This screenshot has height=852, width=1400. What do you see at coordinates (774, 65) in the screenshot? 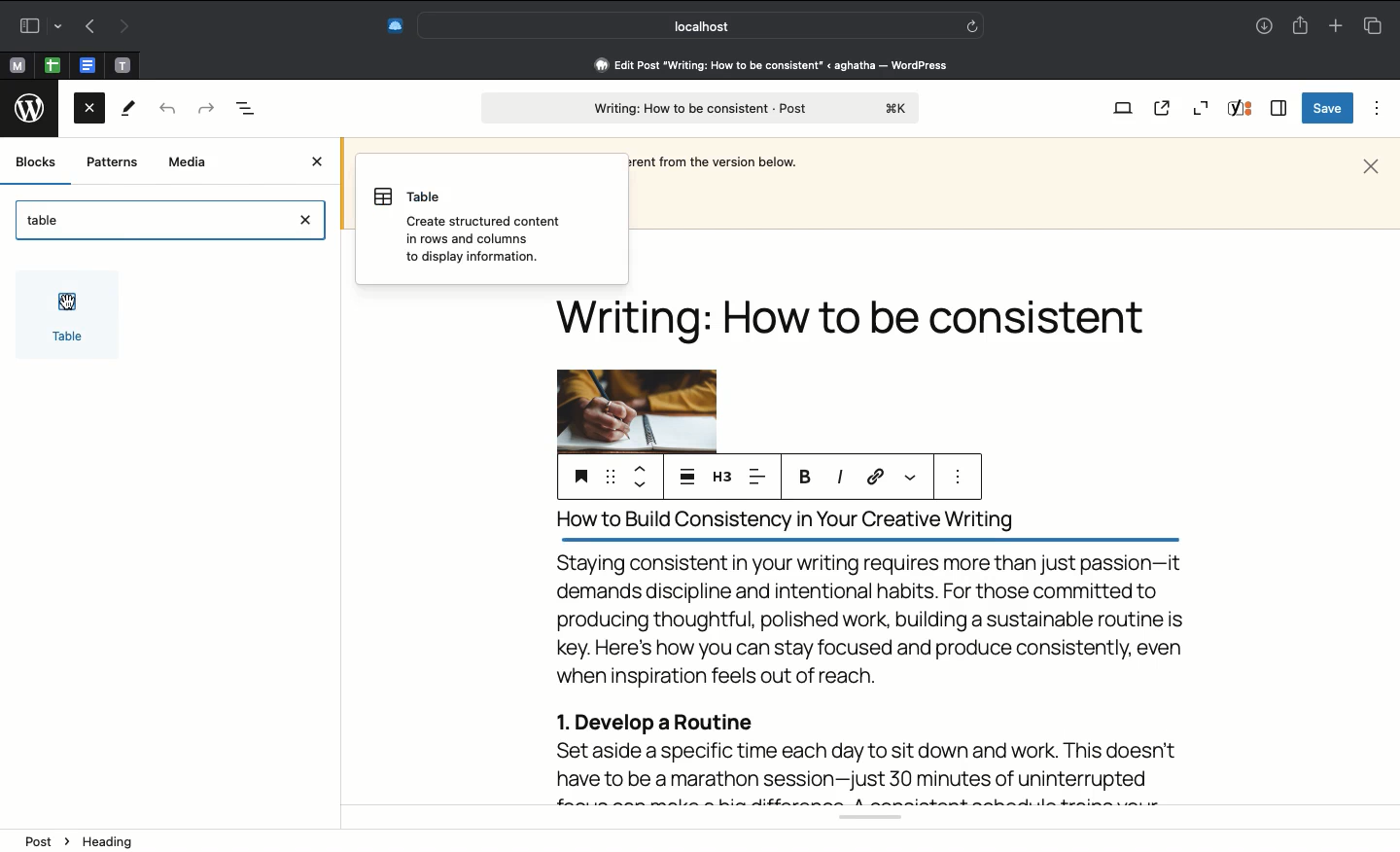
I see `edit post` at bounding box center [774, 65].